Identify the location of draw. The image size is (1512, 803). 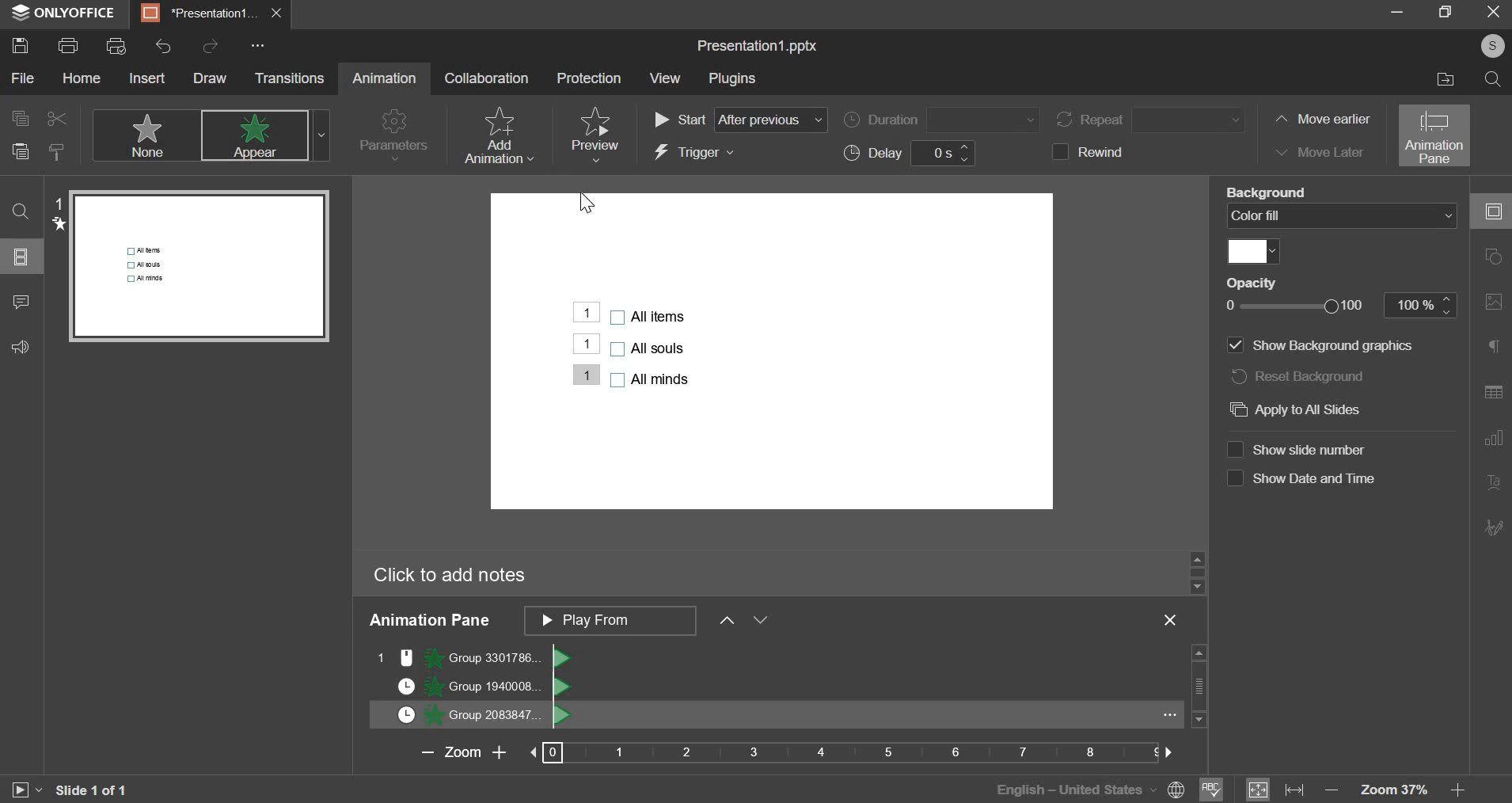
(210, 78).